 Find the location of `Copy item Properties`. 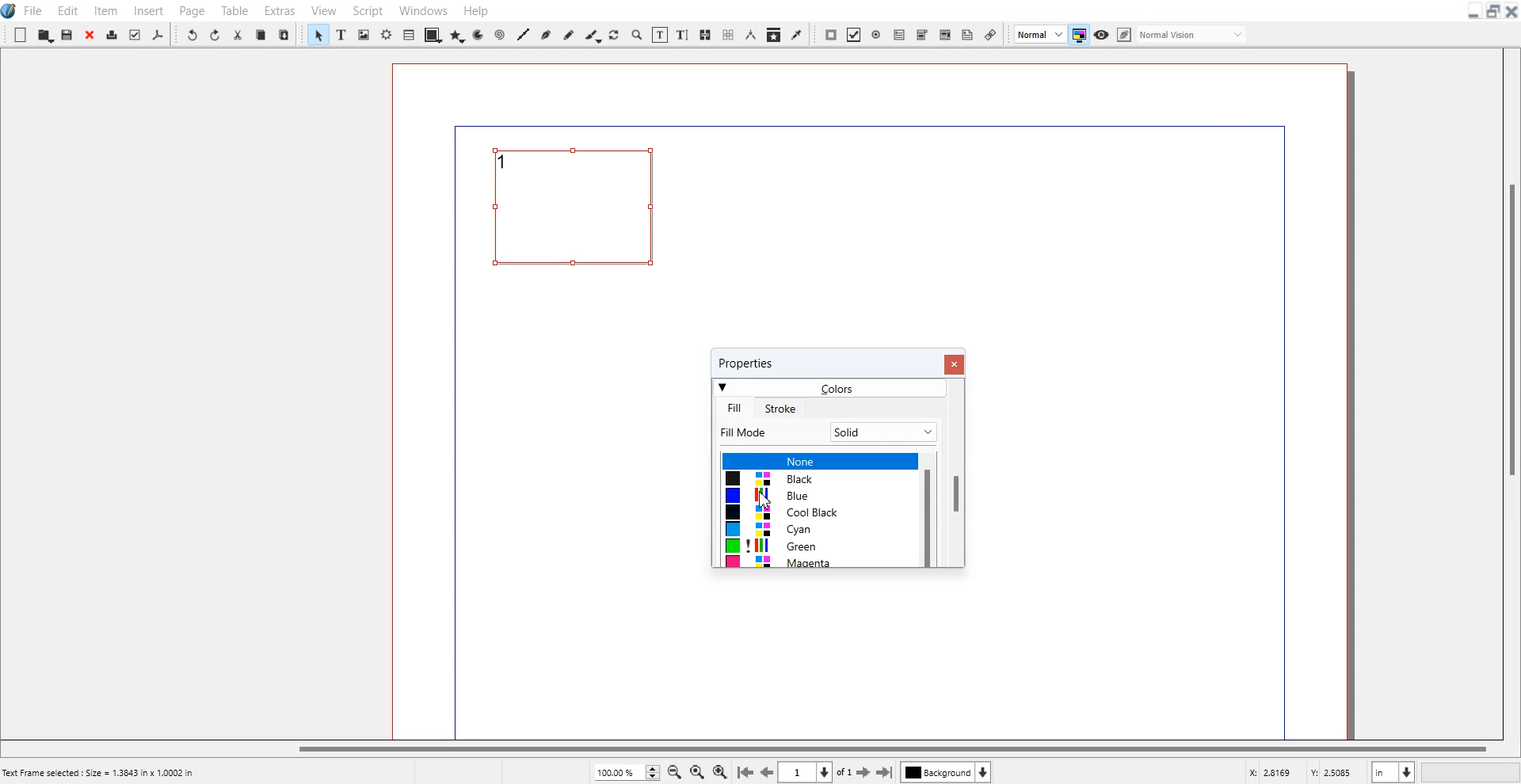

Copy item Properties is located at coordinates (773, 34).